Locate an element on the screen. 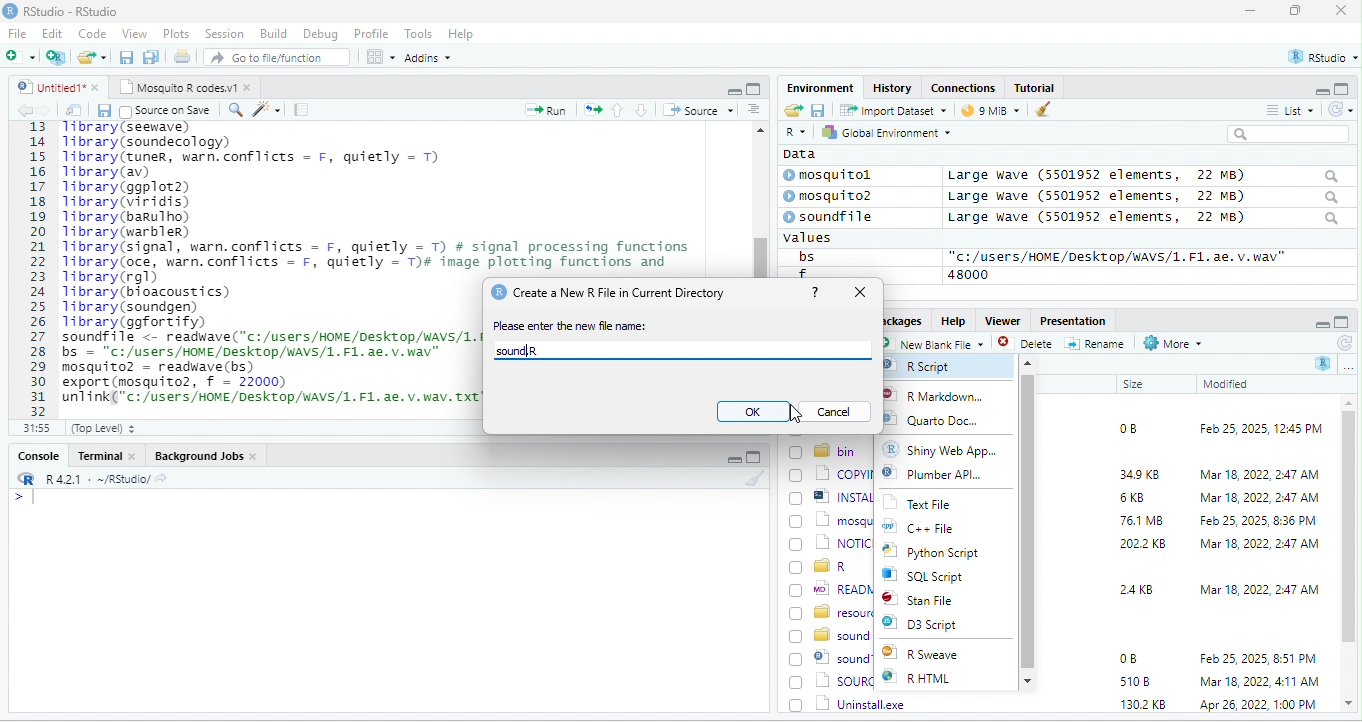 The width and height of the screenshot is (1362, 722). C++ File is located at coordinates (932, 529).